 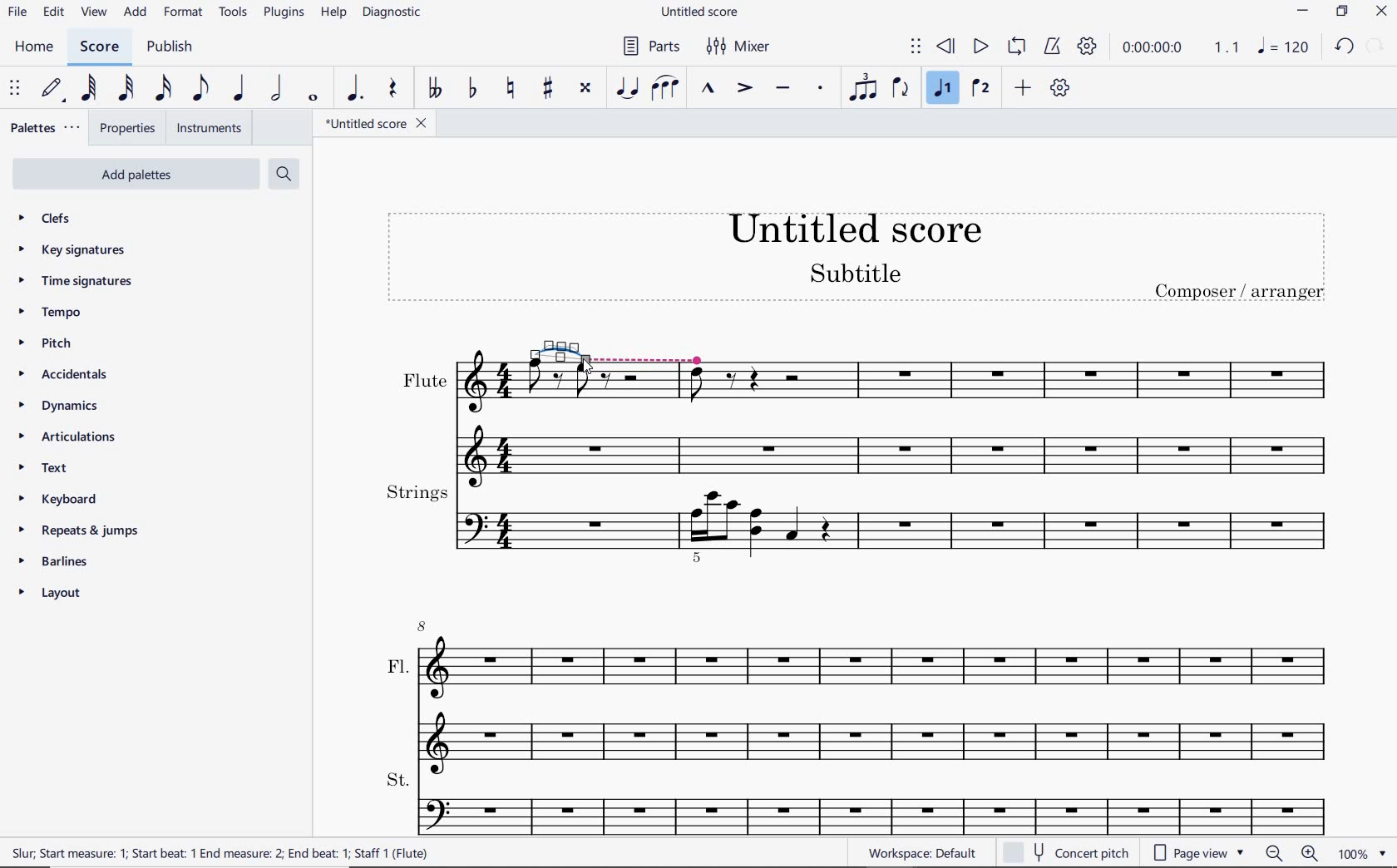 What do you see at coordinates (54, 13) in the screenshot?
I see `edit` at bounding box center [54, 13].